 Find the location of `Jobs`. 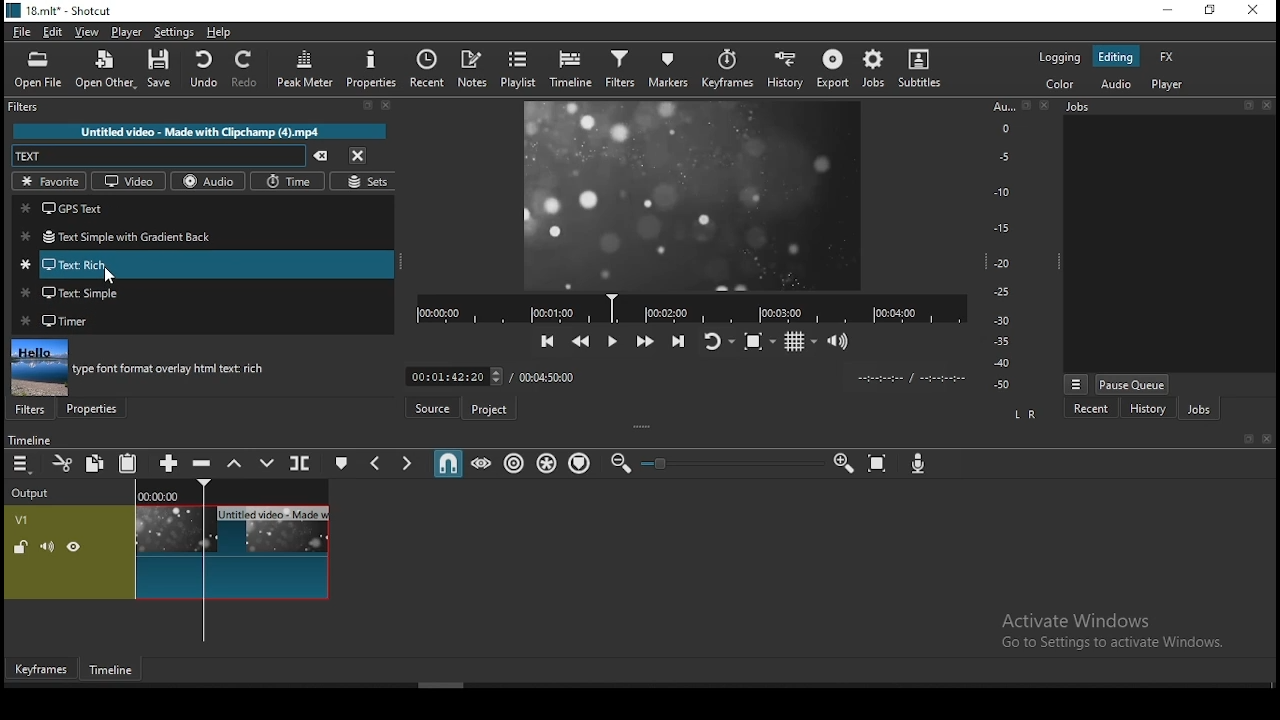

Jobs is located at coordinates (1078, 107).